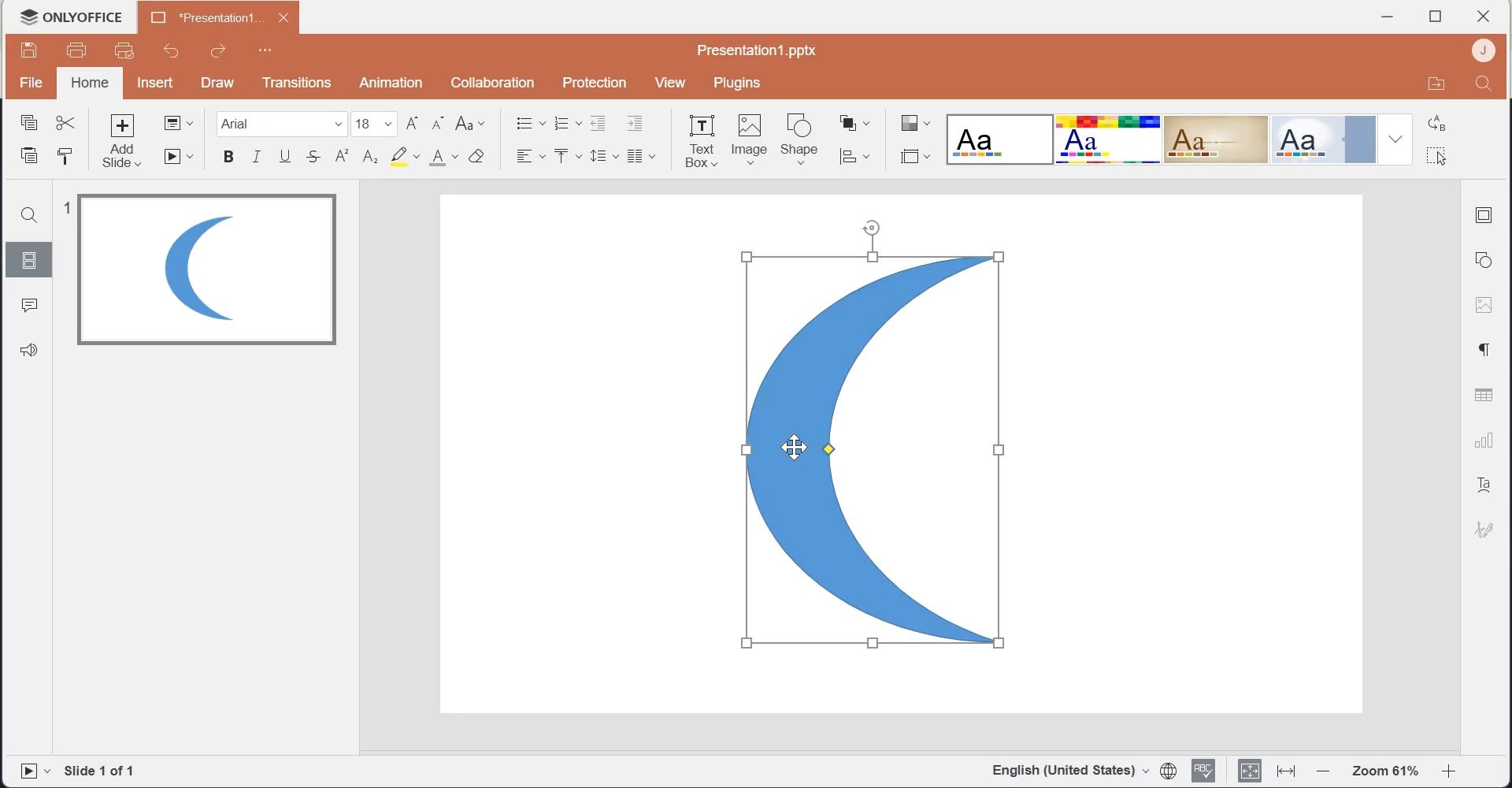  What do you see at coordinates (262, 50) in the screenshot?
I see `Customize Quick Access Toolbar` at bounding box center [262, 50].